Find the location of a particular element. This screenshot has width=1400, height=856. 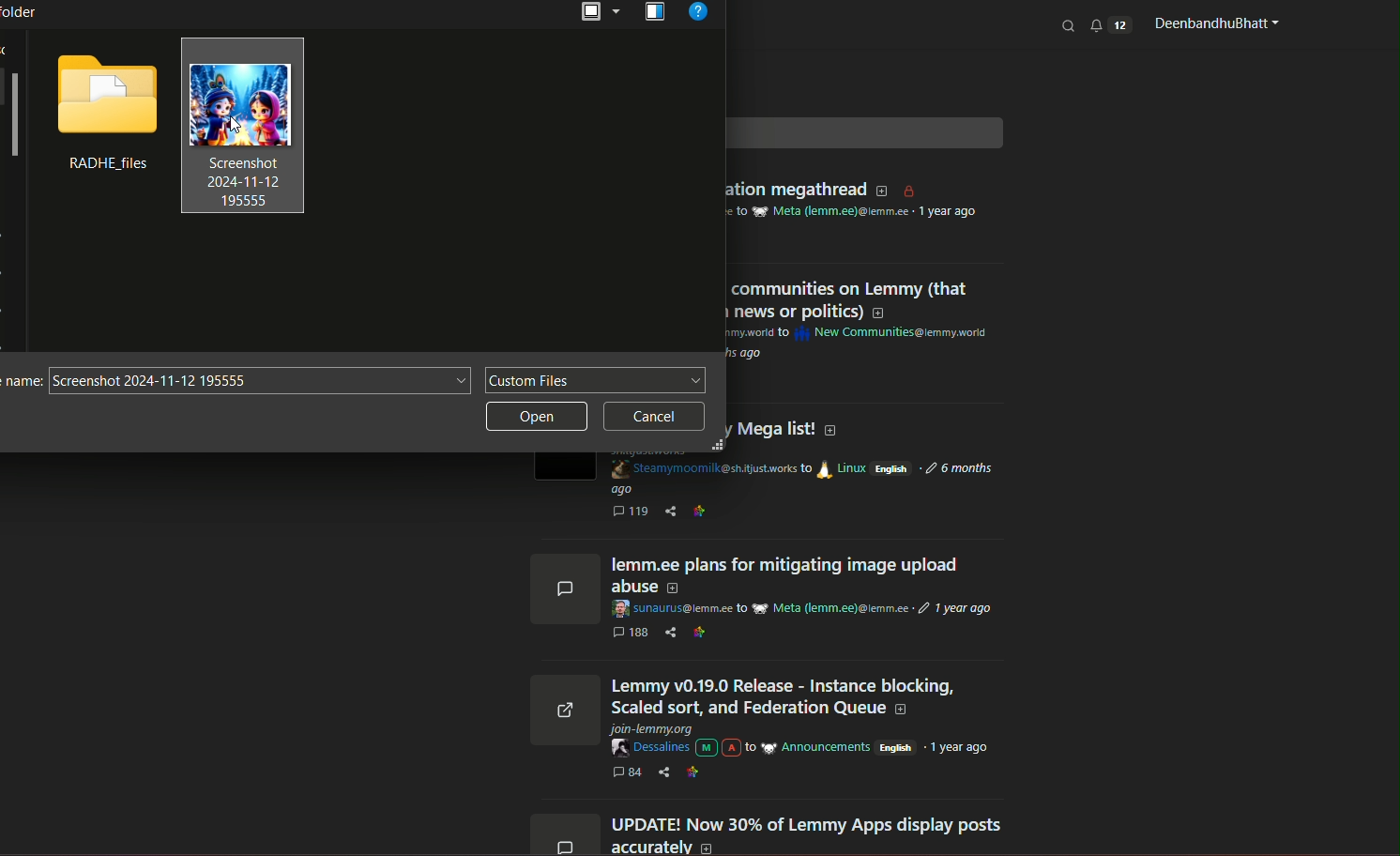

open is located at coordinates (599, 13).